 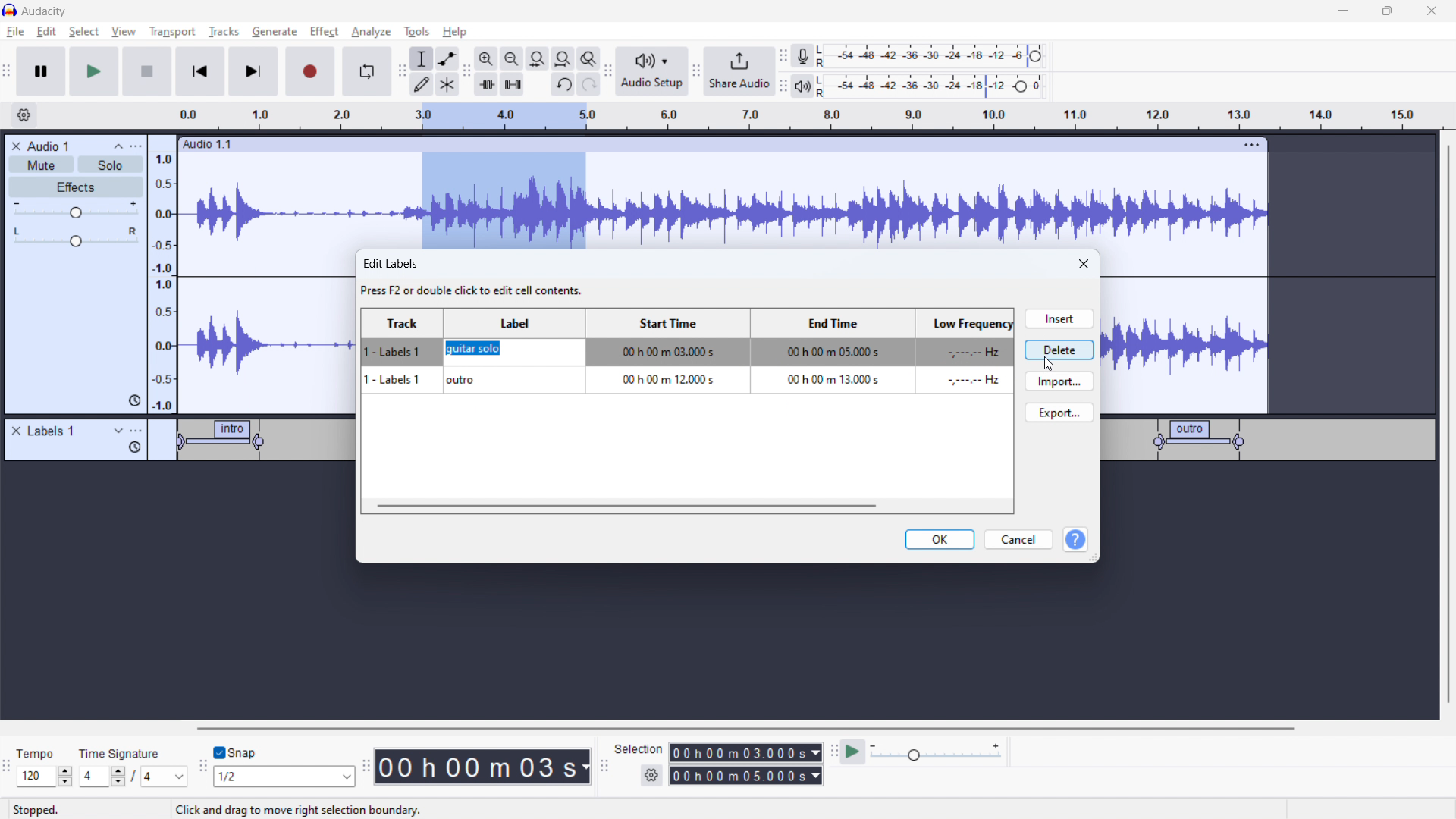 What do you see at coordinates (45, 808) in the screenshot?
I see `stopped.` at bounding box center [45, 808].